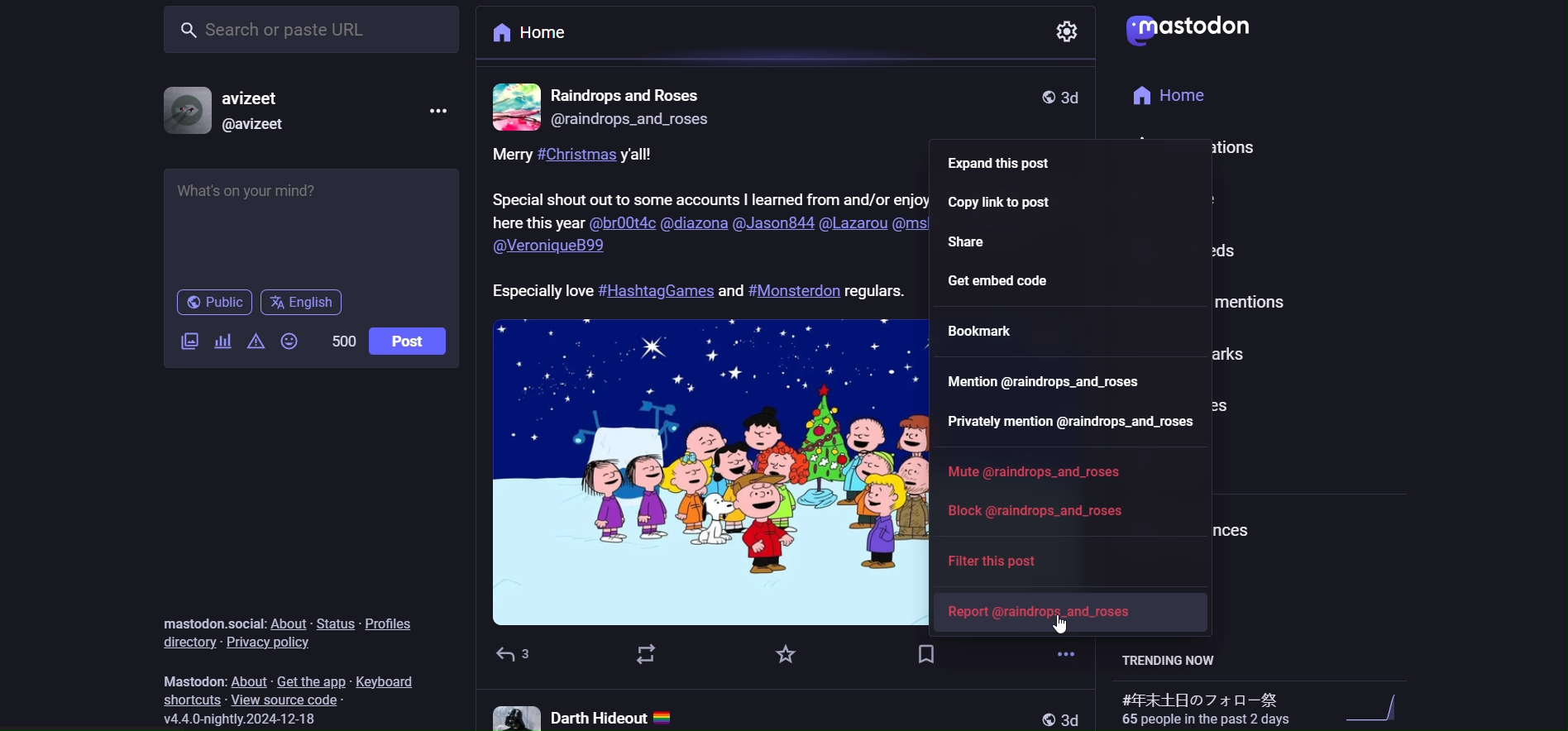 The width and height of the screenshot is (1568, 731). What do you see at coordinates (271, 644) in the screenshot?
I see `privacy policy` at bounding box center [271, 644].